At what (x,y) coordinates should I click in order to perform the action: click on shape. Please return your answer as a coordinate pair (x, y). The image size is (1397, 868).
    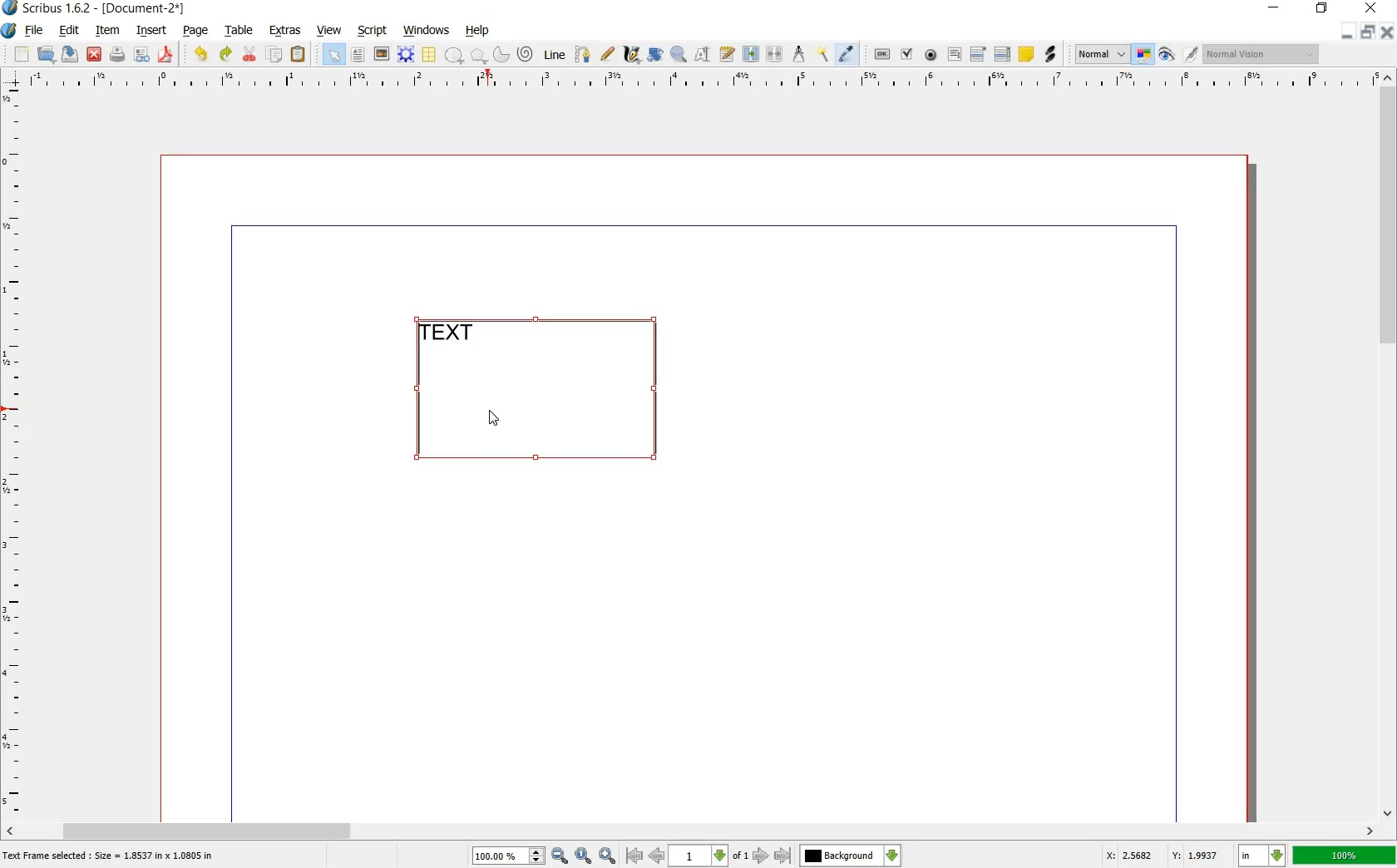
    Looking at the image, I should click on (454, 56).